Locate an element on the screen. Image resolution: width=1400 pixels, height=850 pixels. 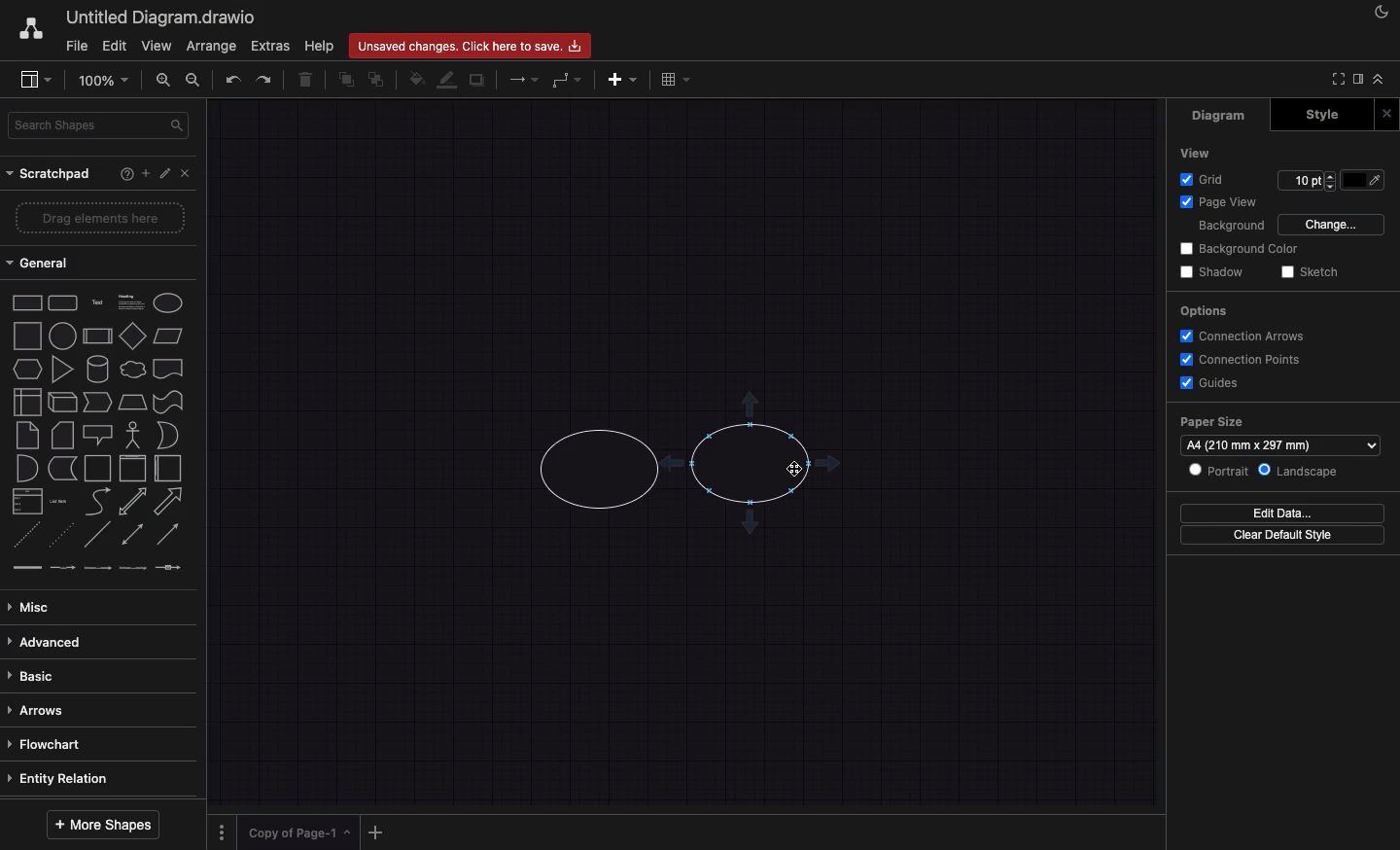
file is located at coordinates (78, 46).